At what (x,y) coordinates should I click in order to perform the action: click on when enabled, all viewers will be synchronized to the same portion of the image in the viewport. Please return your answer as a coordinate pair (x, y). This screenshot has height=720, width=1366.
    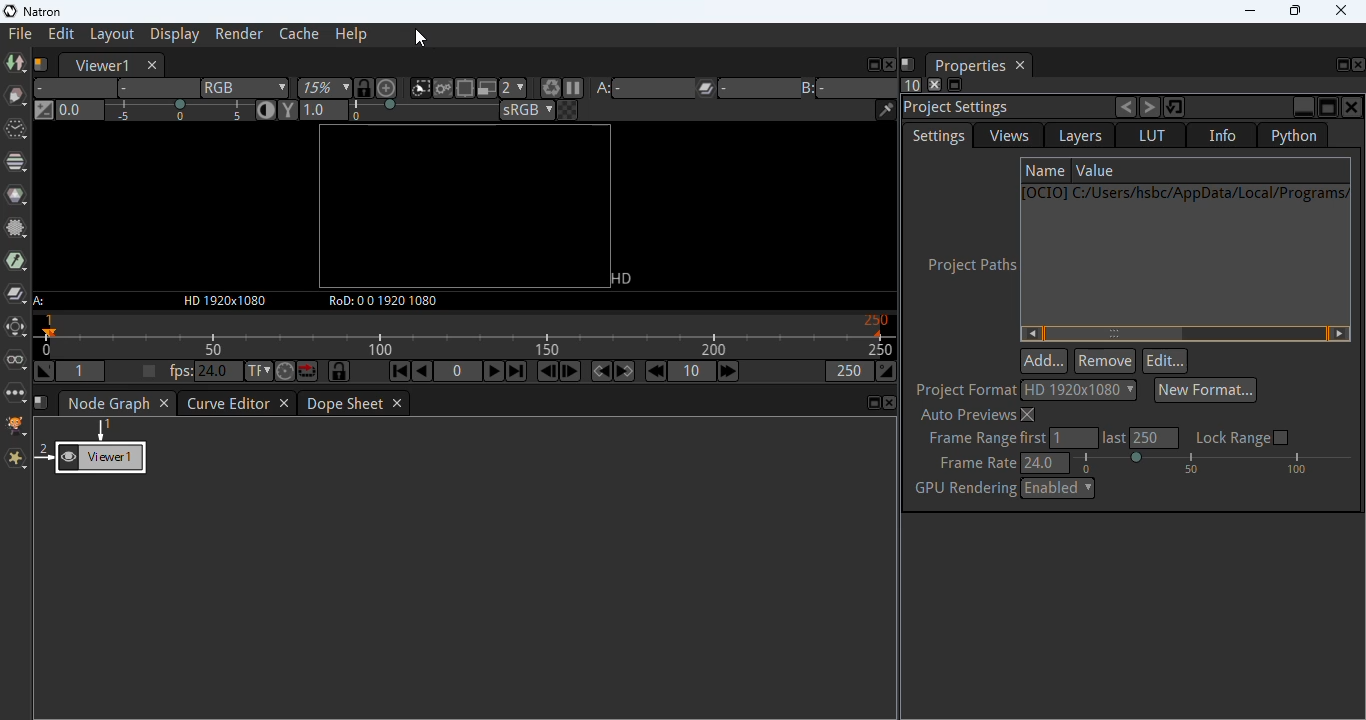
    Looking at the image, I should click on (363, 88).